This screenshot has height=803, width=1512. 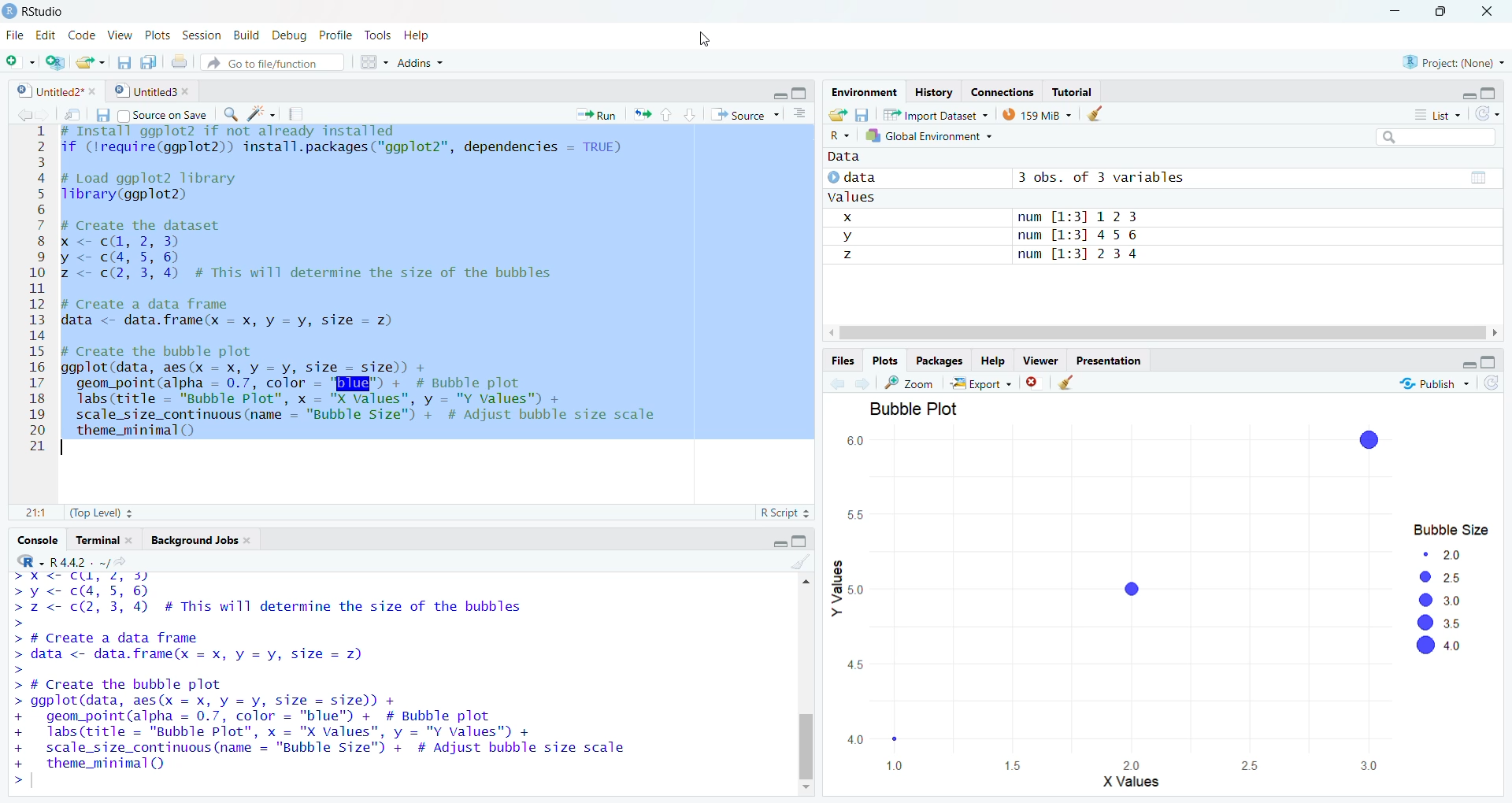 I want to click on ~& Export +, so click(x=985, y=383).